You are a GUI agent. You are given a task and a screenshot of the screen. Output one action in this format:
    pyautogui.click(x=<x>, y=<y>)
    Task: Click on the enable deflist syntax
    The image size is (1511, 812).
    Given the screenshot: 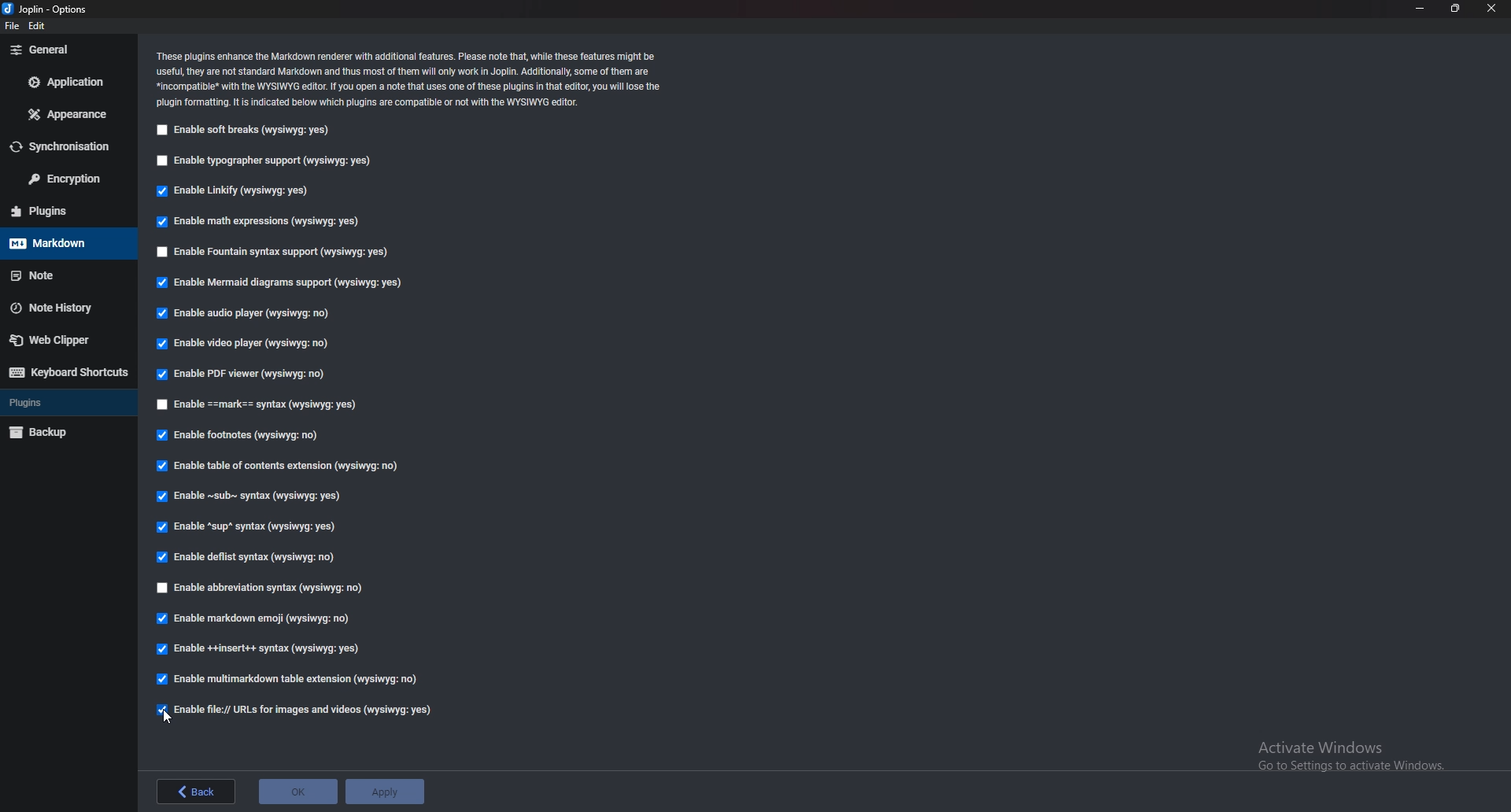 What is the action you would take?
    pyautogui.click(x=249, y=559)
    